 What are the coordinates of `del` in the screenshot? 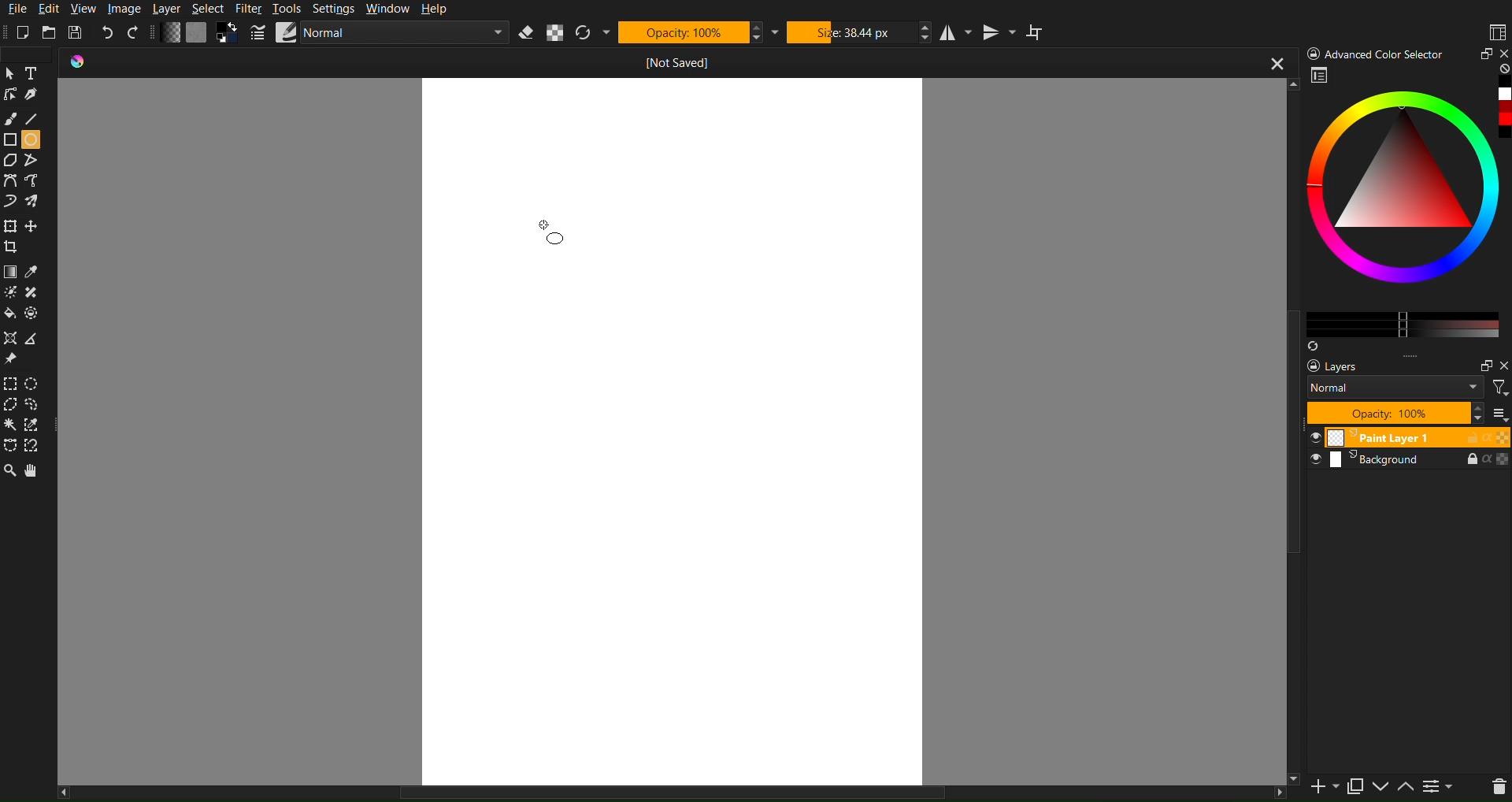 It's located at (1503, 789).